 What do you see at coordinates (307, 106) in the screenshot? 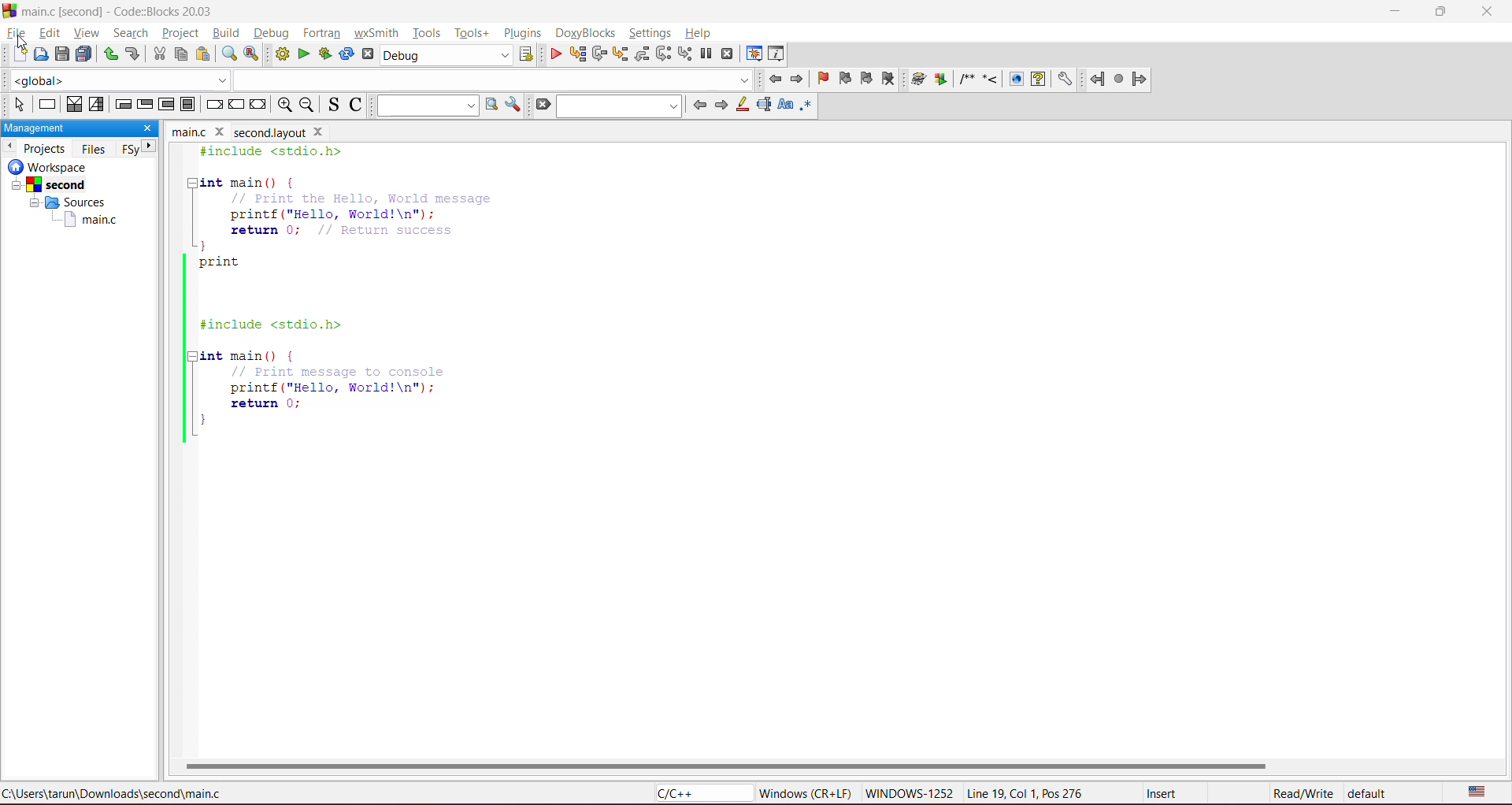
I see `zoom out` at bounding box center [307, 106].